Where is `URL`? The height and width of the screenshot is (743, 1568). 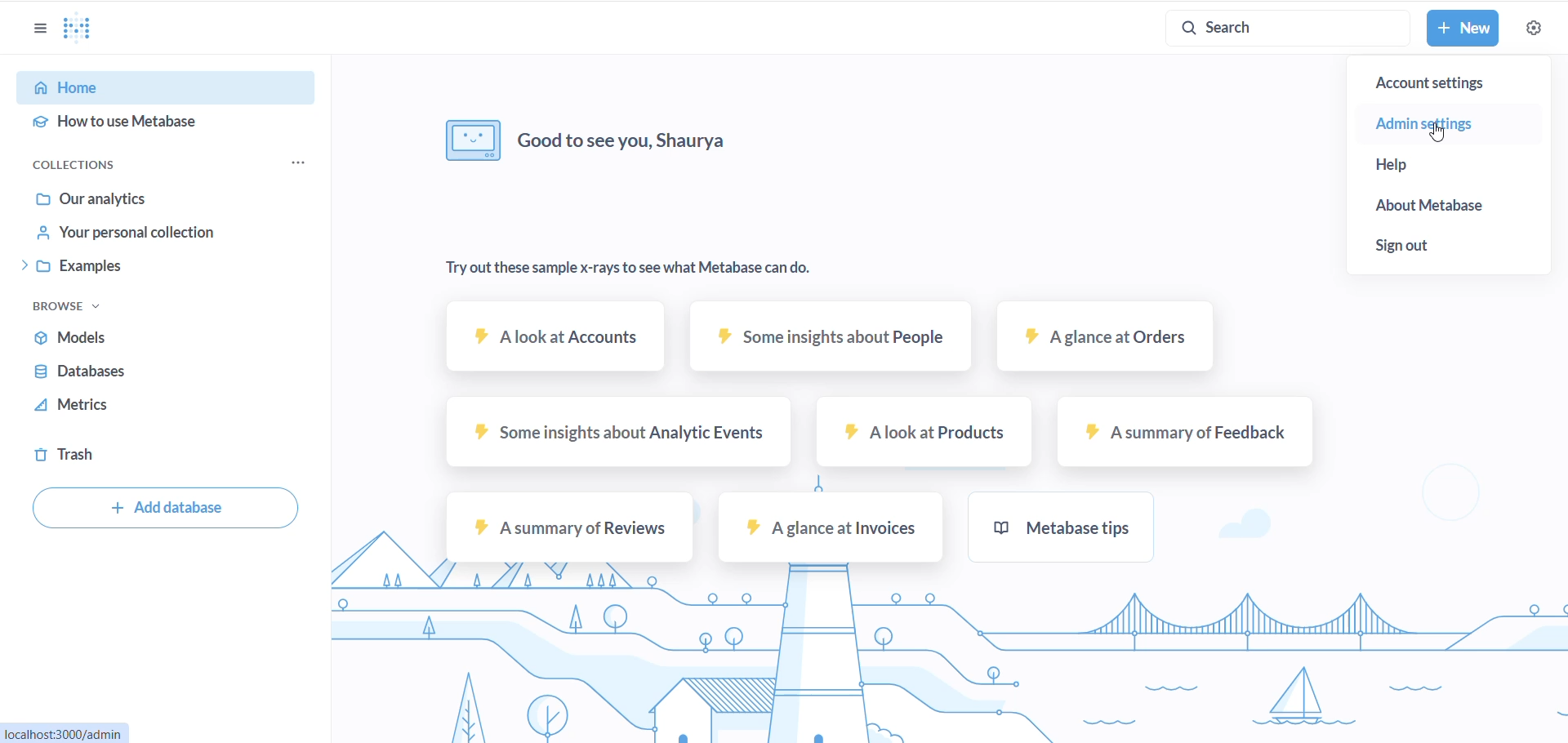
URL is located at coordinates (69, 732).